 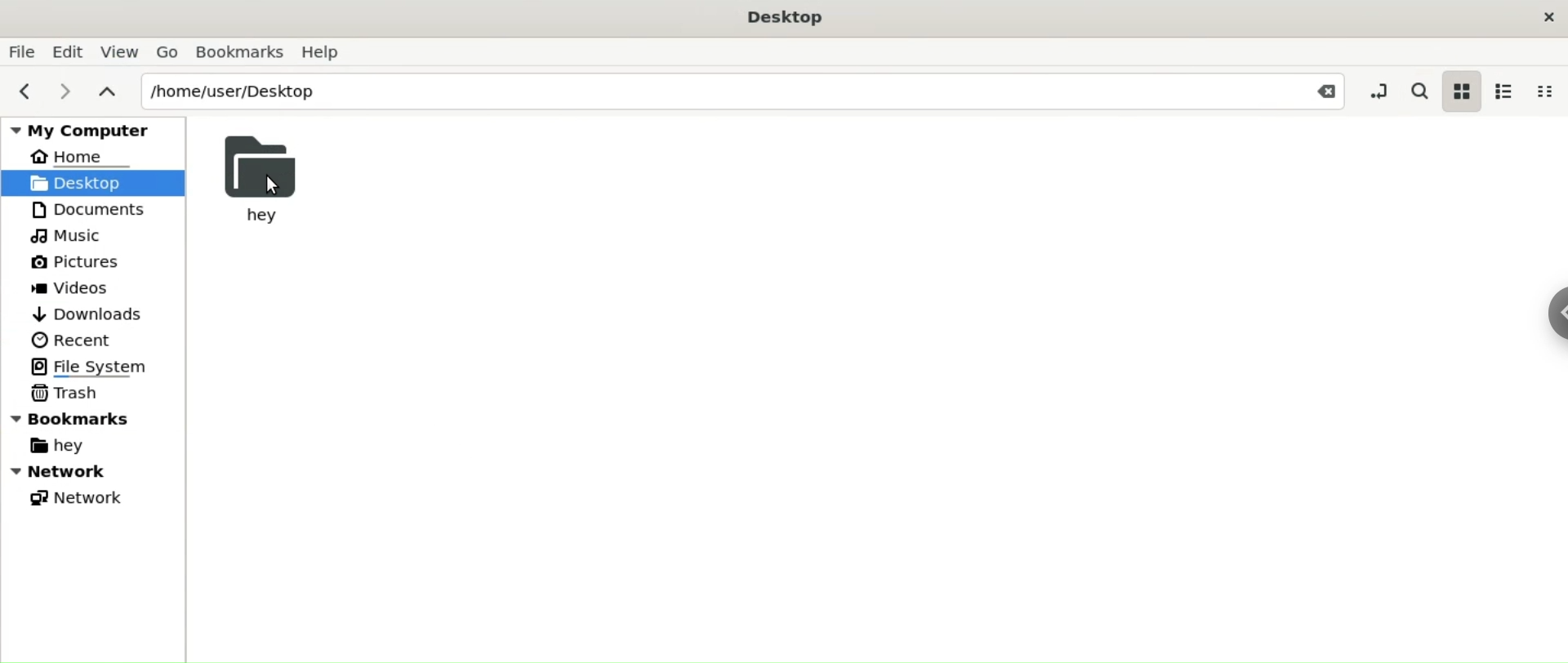 What do you see at coordinates (324, 50) in the screenshot?
I see `Help` at bounding box center [324, 50].